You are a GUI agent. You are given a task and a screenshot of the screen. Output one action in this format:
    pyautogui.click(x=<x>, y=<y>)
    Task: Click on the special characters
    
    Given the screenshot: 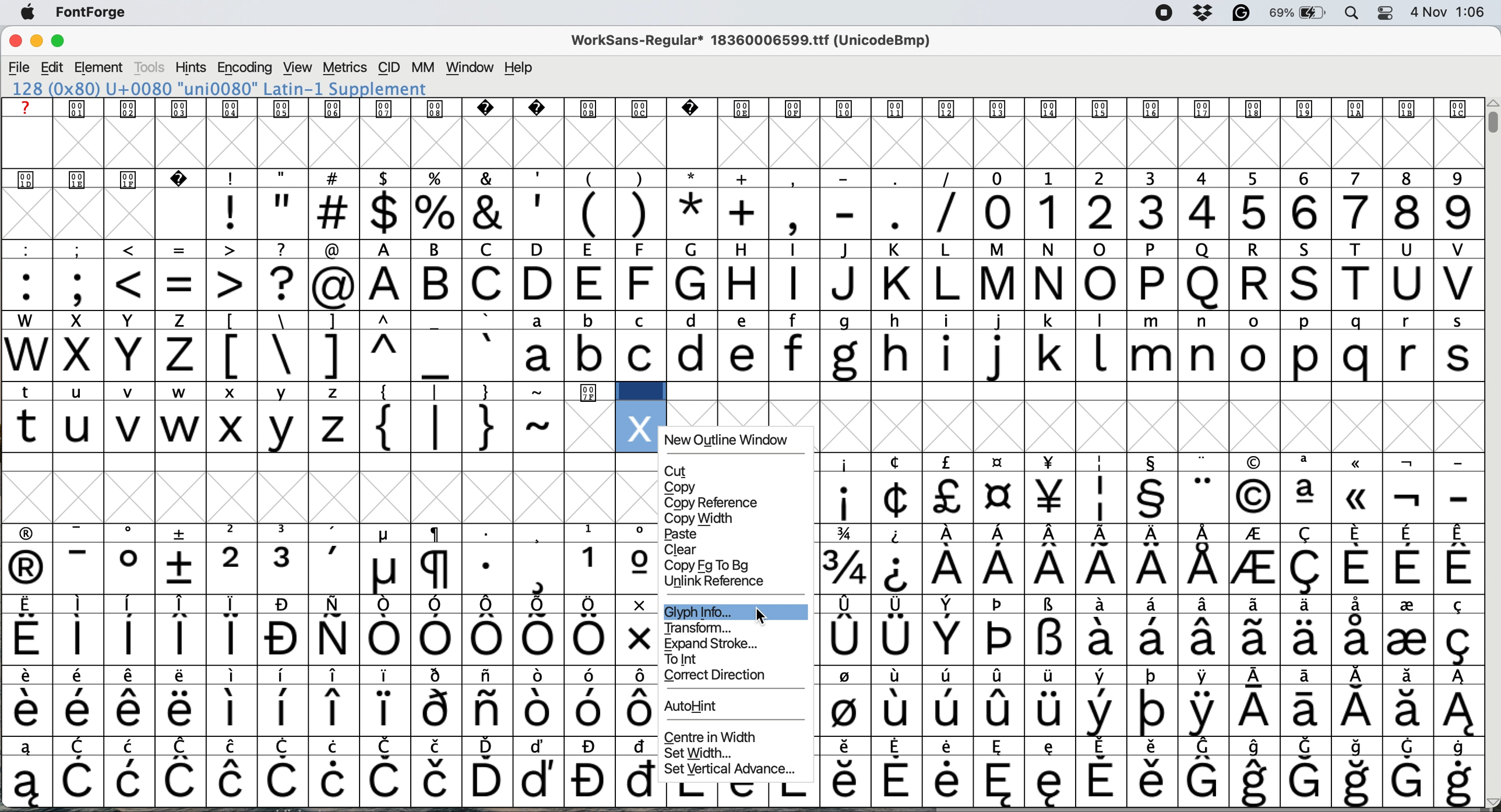 What is the action you would take?
    pyautogui.click(x=180, y=284)
    